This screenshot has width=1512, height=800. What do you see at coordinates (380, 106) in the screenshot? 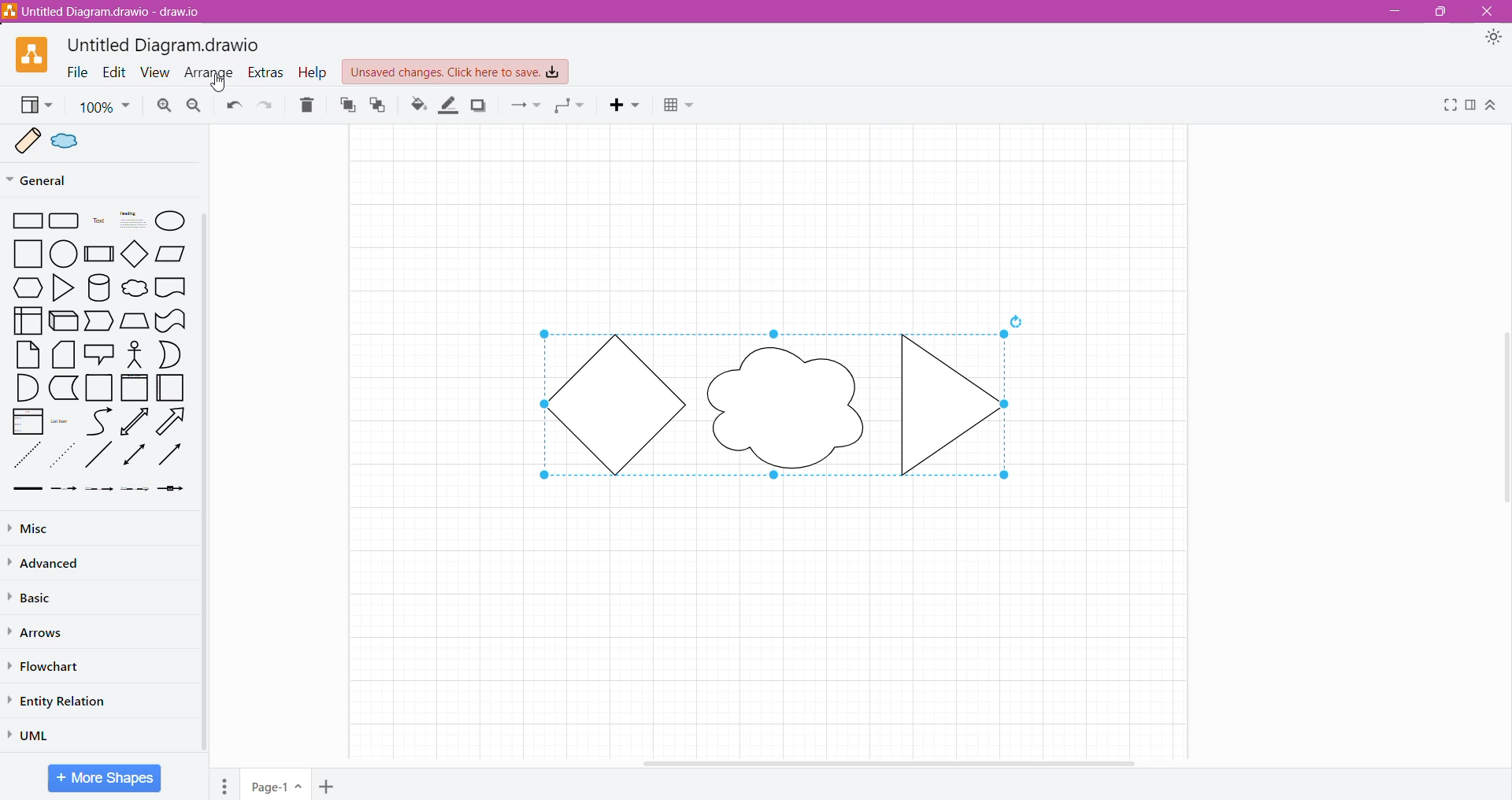
I see `To Back` at bounding box center [380, 106].